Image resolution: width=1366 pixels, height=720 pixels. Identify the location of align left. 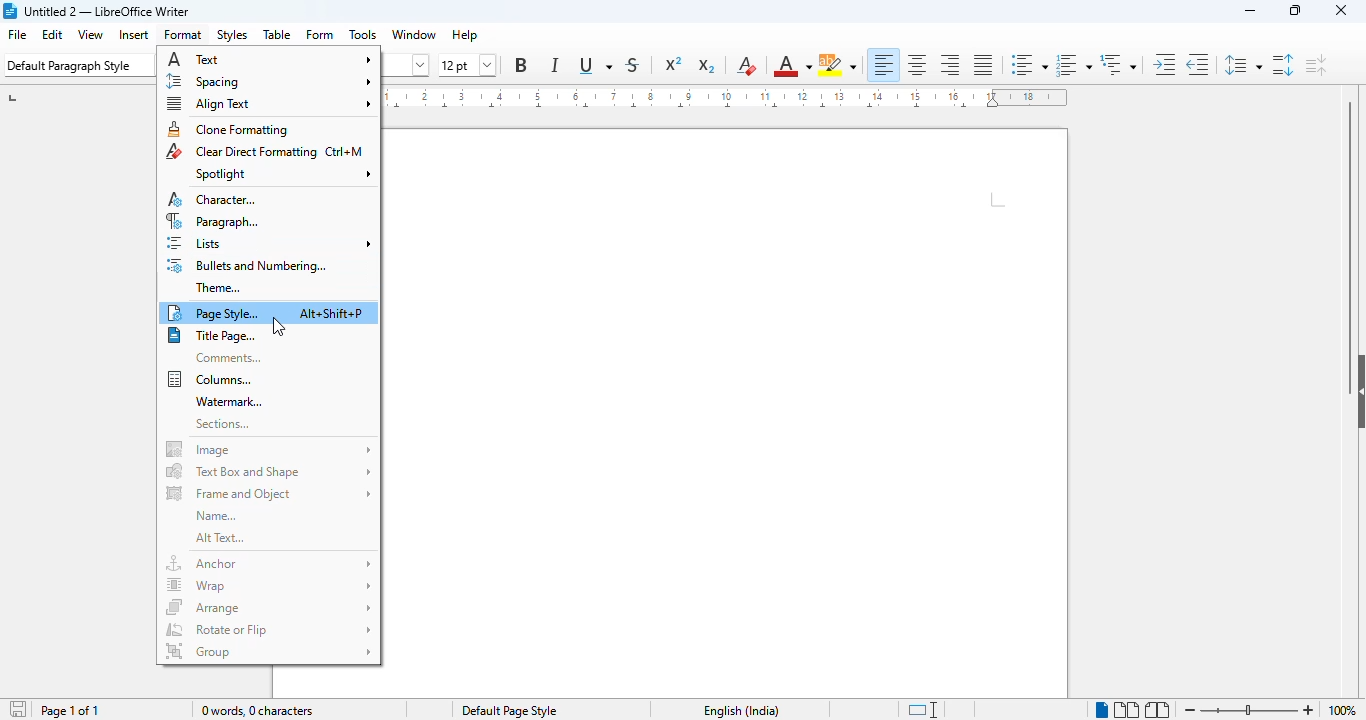
(884, 64).